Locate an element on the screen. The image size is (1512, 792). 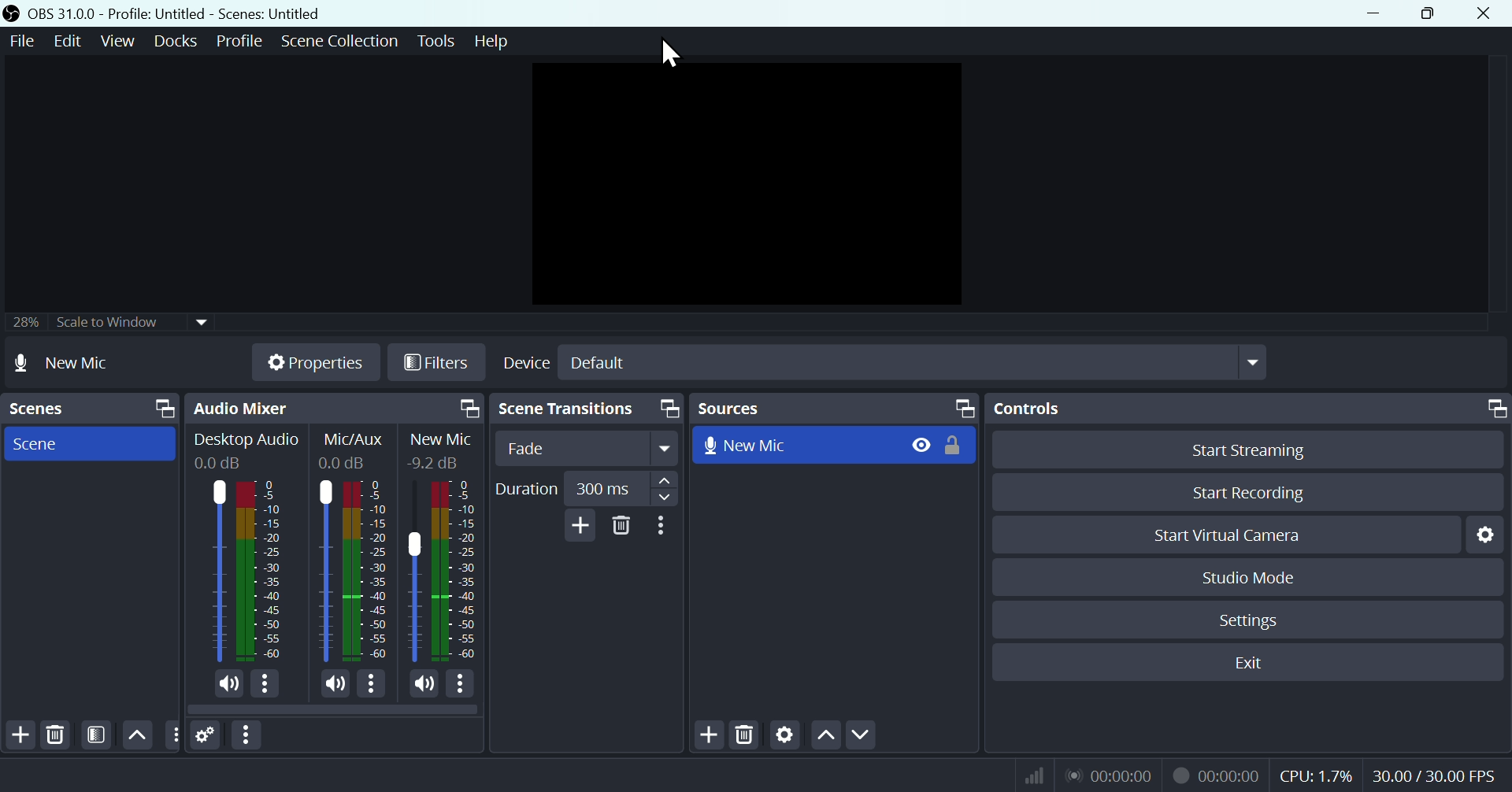
Frame Per Second is located at coordinates (1434, 777).